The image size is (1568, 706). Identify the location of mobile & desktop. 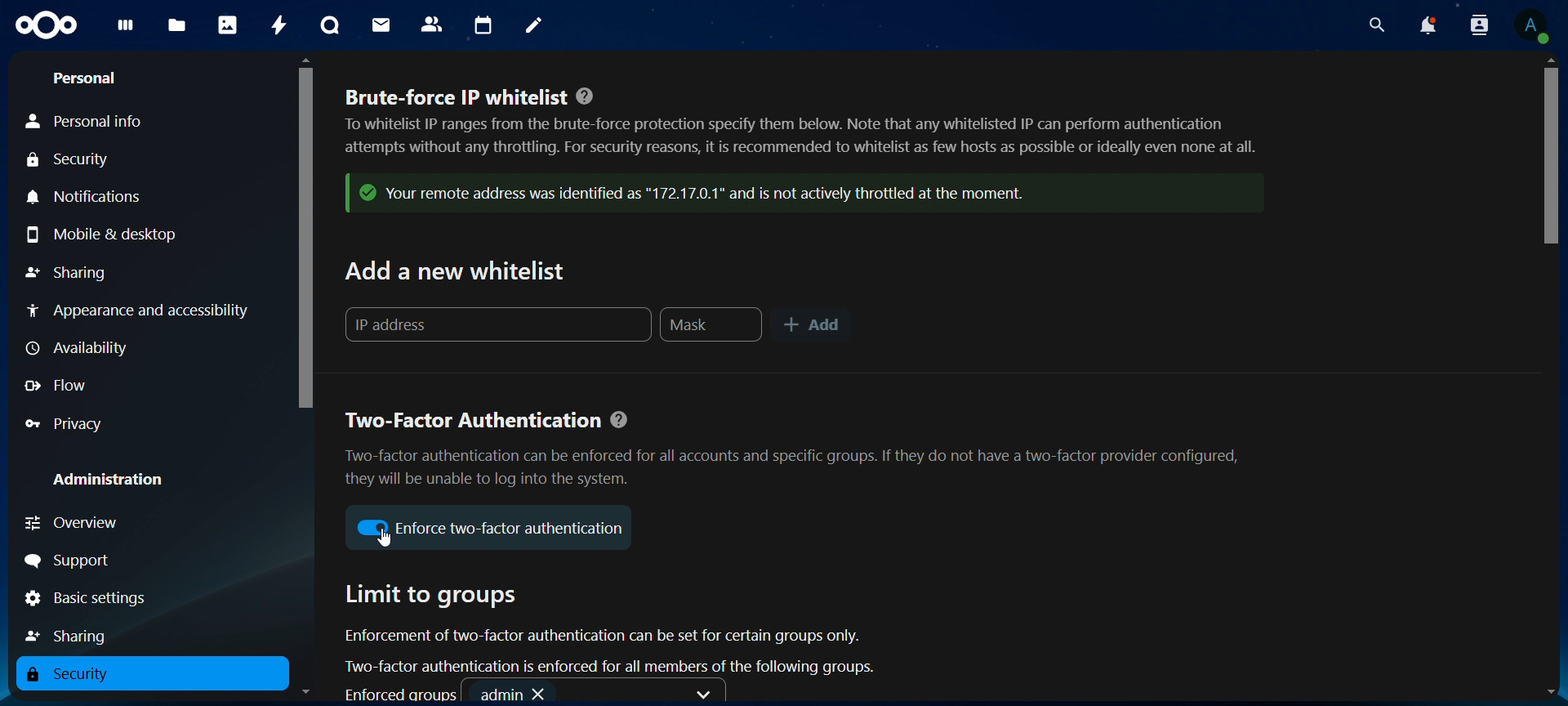
(104, 236).